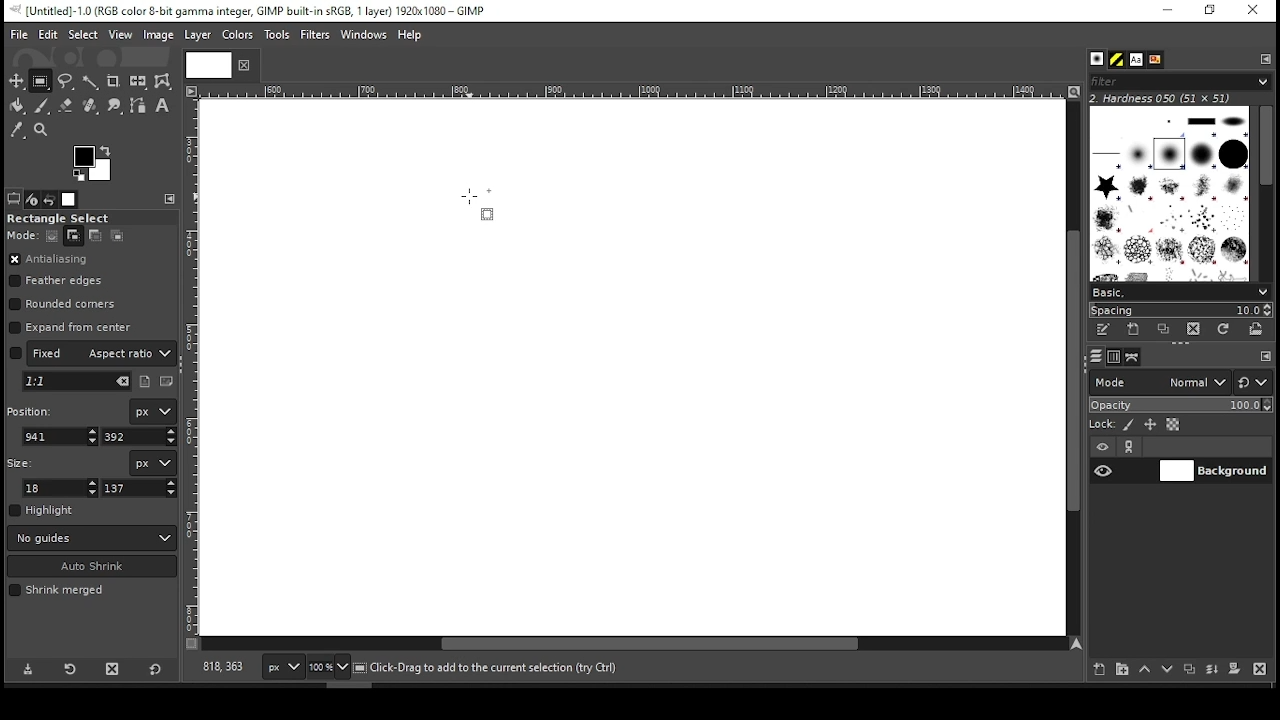 Image resolution: width=1280 pixels, height=720 pixels. What do you see at coordinates (22, 235) in the screenshot?
I see `move:` at bounding box center [22, 235].